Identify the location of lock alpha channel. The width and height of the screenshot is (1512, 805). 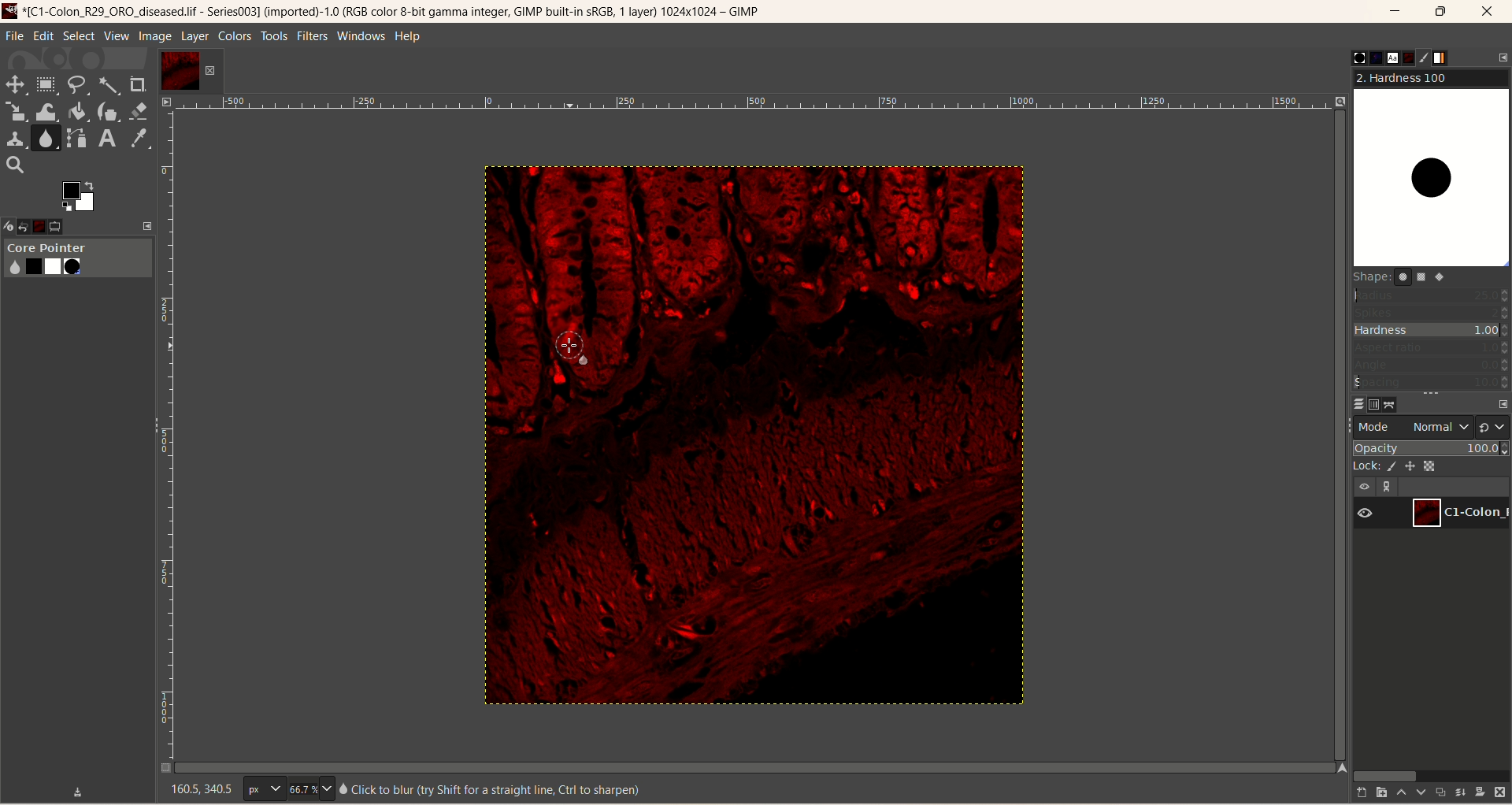
(1438, 466).